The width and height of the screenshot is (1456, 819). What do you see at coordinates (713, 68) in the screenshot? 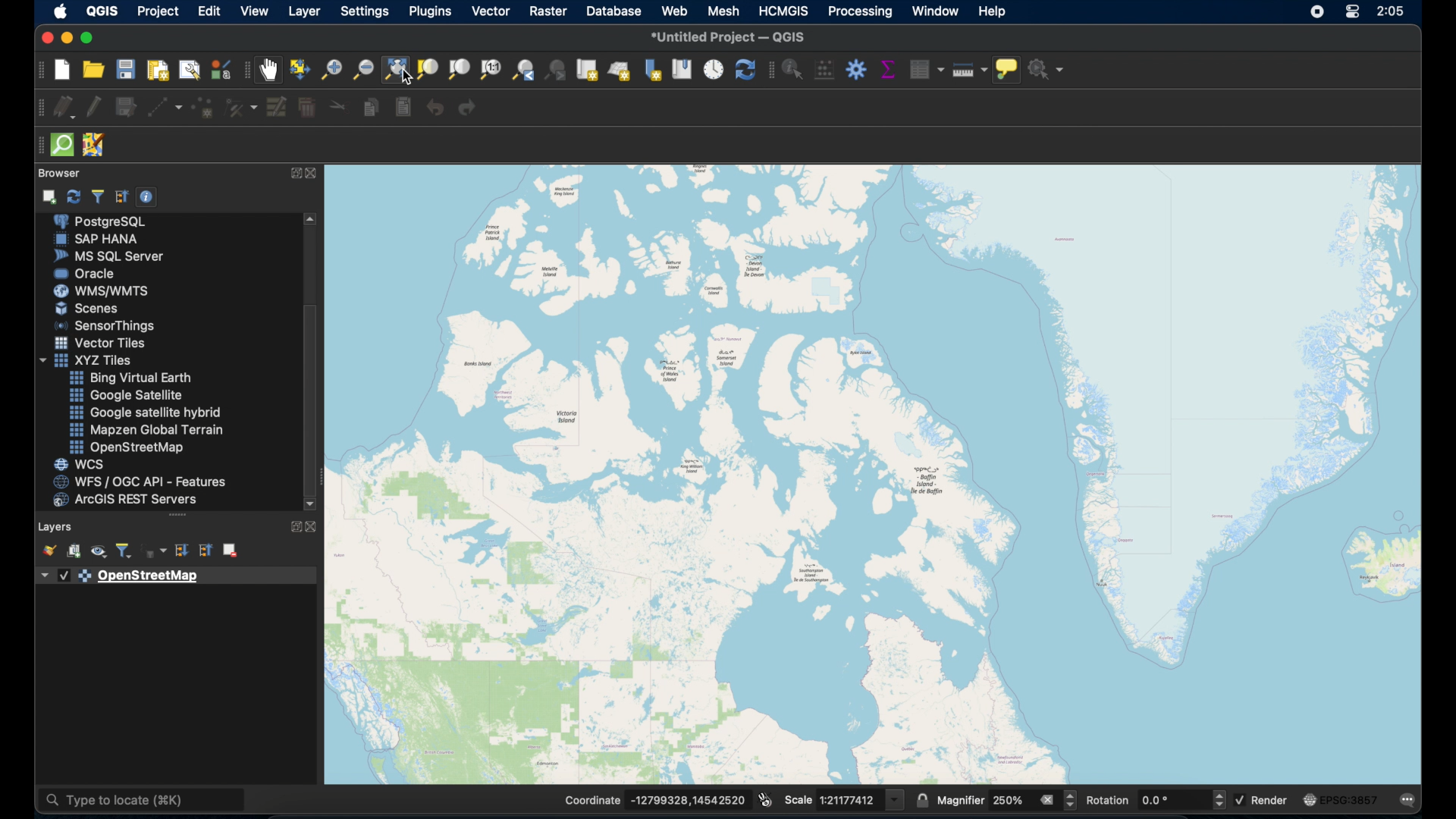
I see `temporal controller panel` at bounding box center [713, 68].